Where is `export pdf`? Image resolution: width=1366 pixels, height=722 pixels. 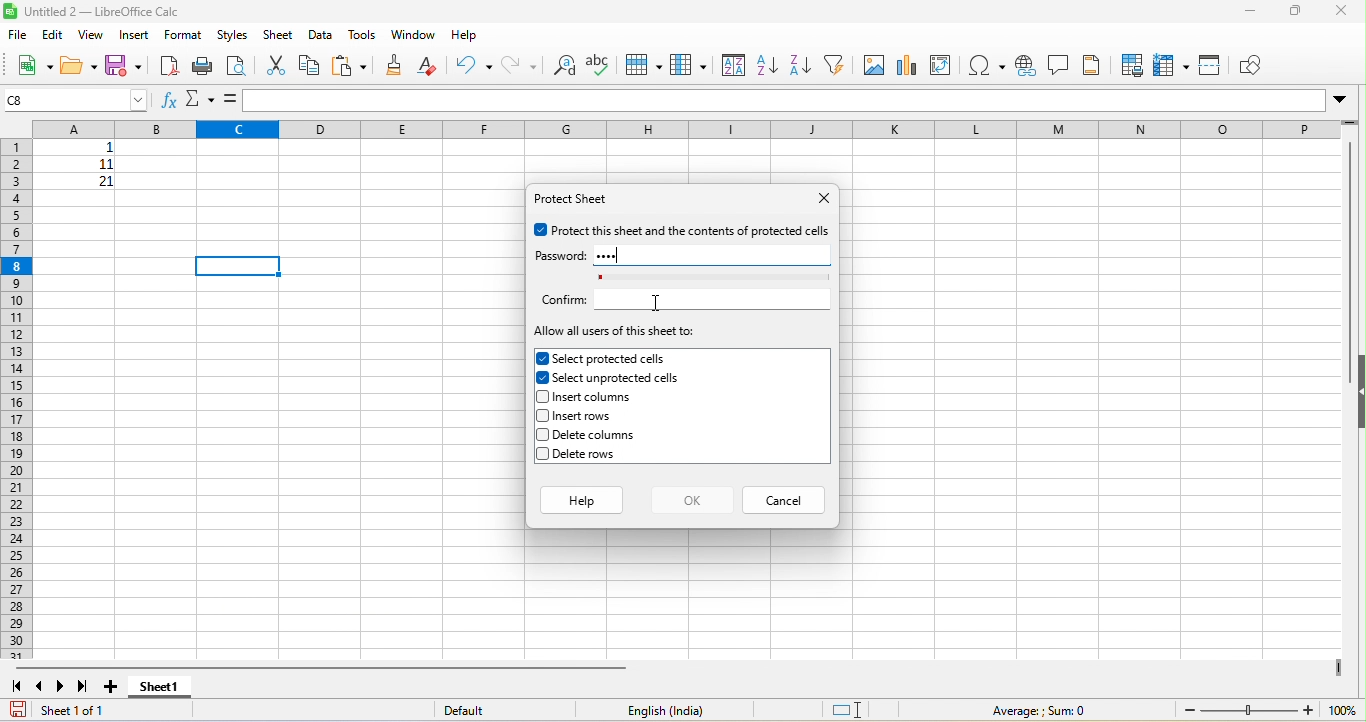 export pdf is located at coordinates (168, 65).